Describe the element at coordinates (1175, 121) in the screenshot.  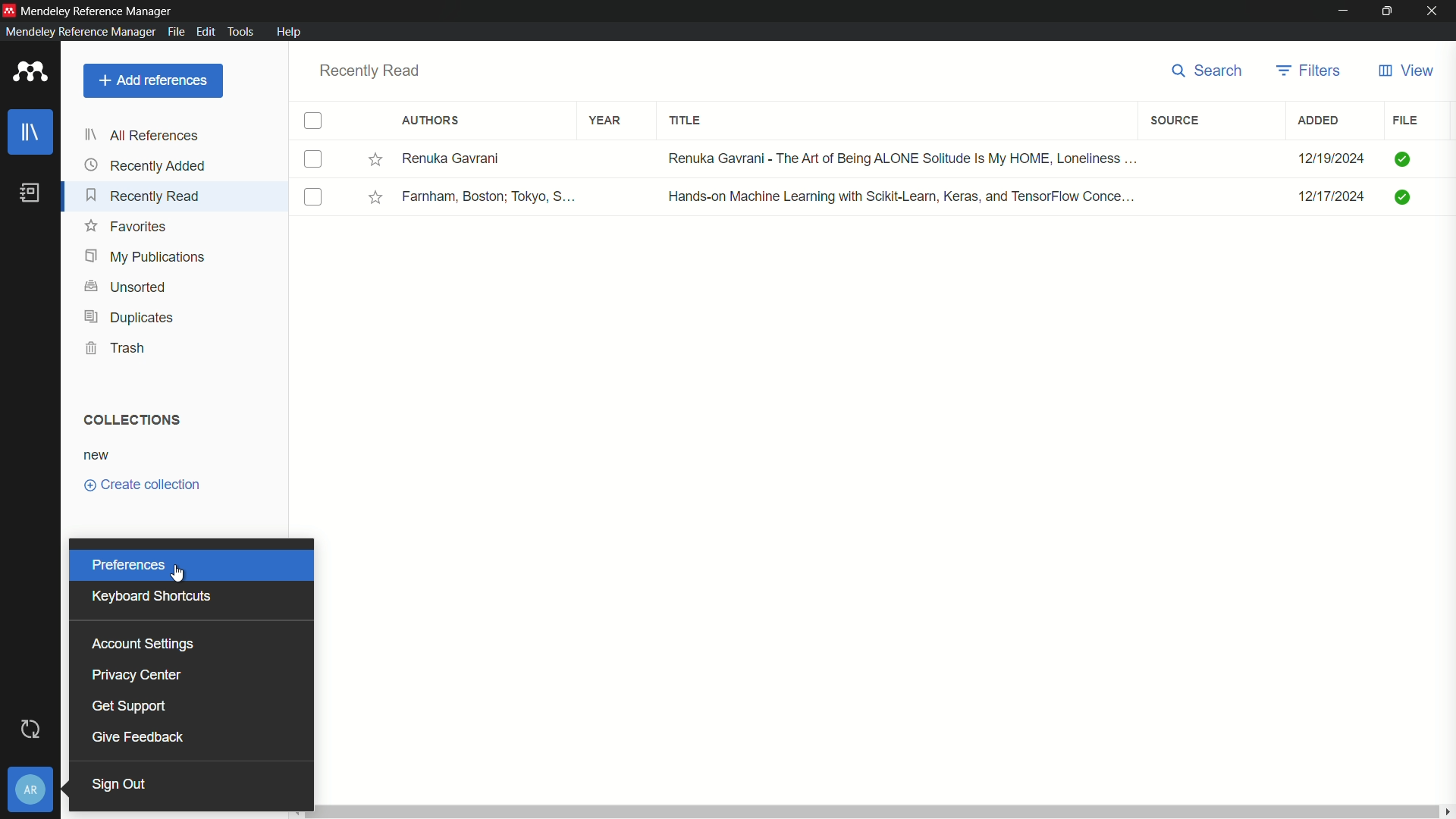
I see `filters` at that location.